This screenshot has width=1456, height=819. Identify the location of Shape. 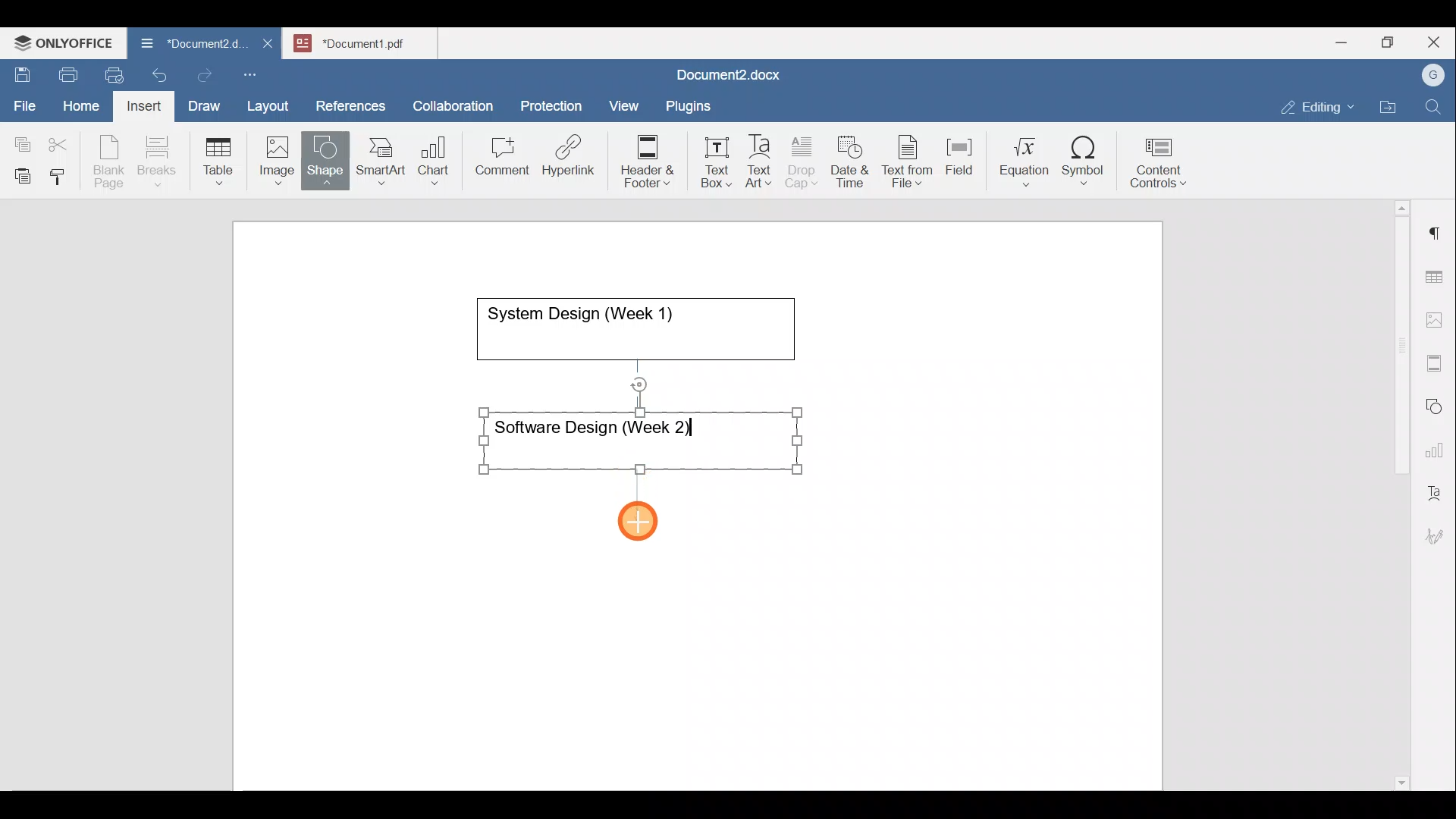
(327, 153).